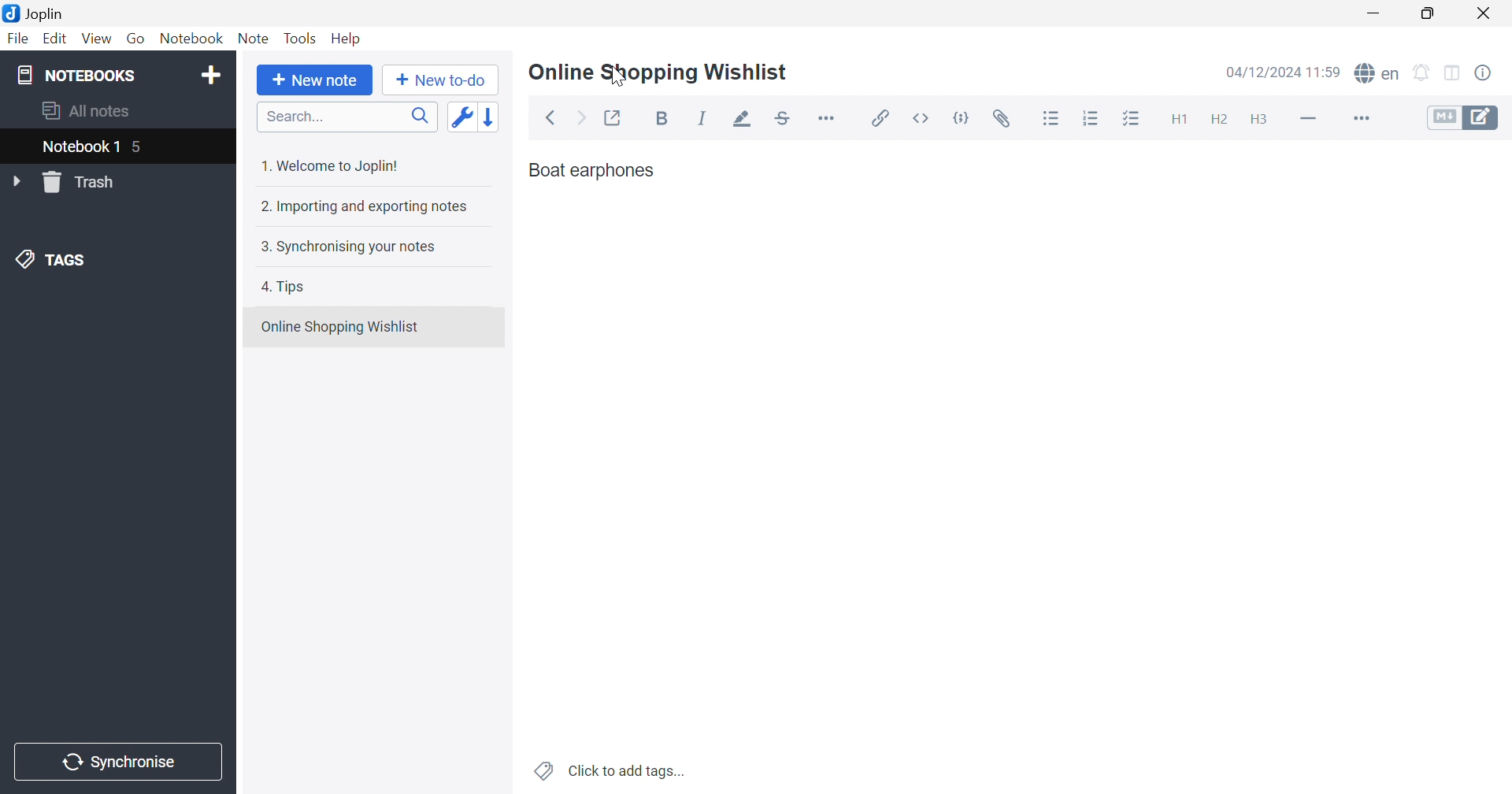 This screenshot has height=794, width=1512. I want to click on Inline code, so click(922, 117).